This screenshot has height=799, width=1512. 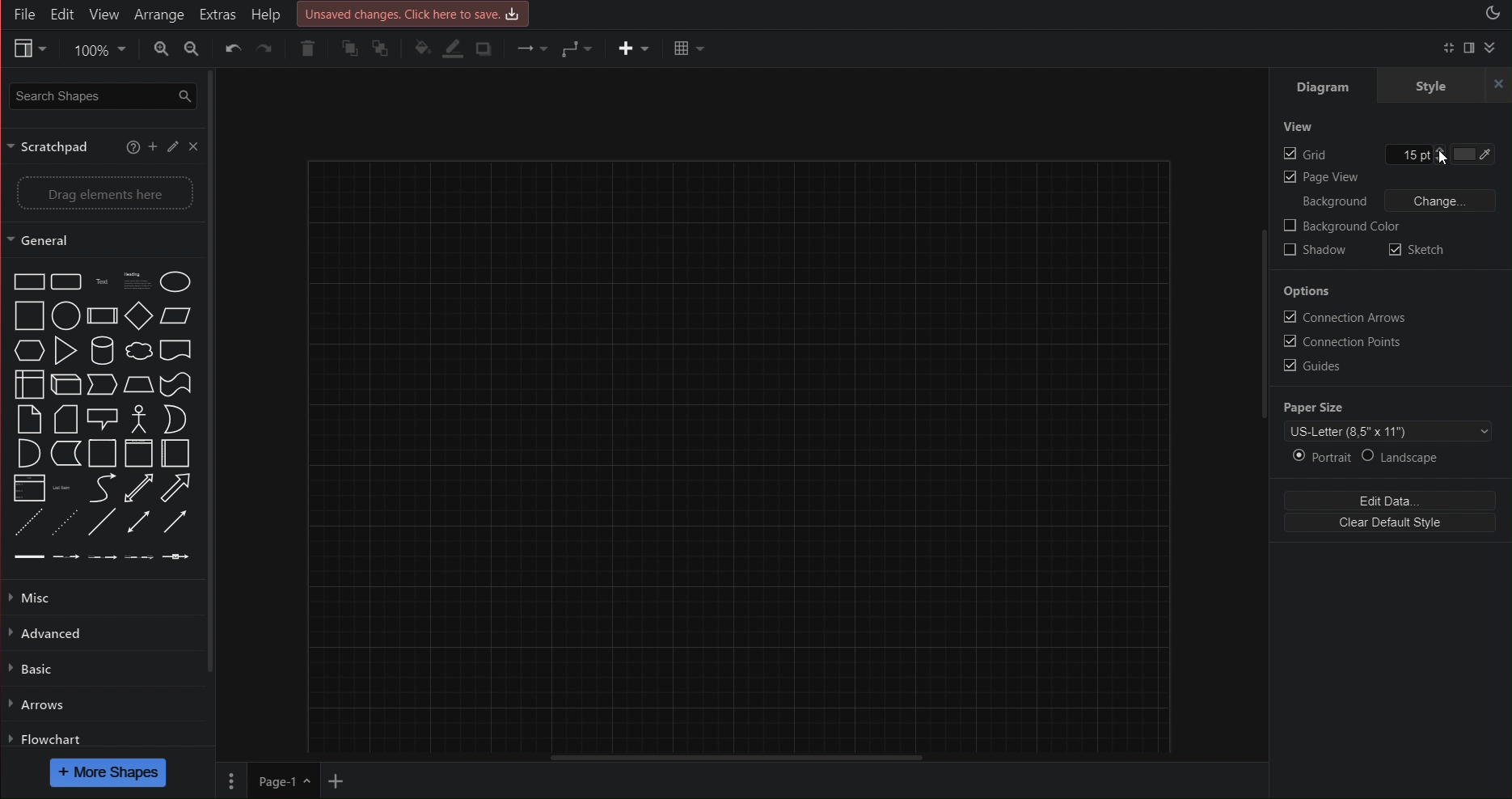 I want to click on Insert, so click(x=627, y=49).